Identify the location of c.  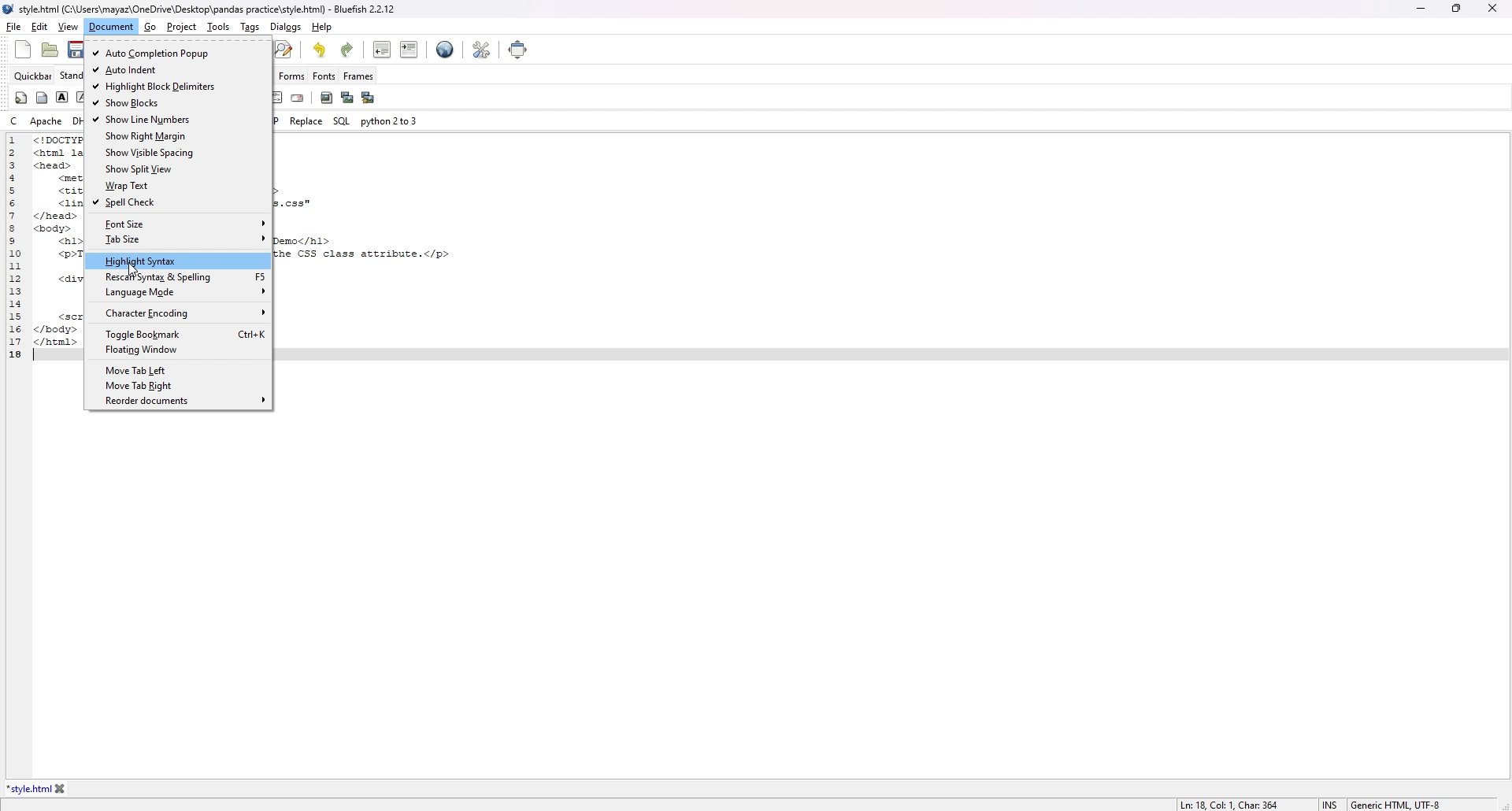
(15, 120).